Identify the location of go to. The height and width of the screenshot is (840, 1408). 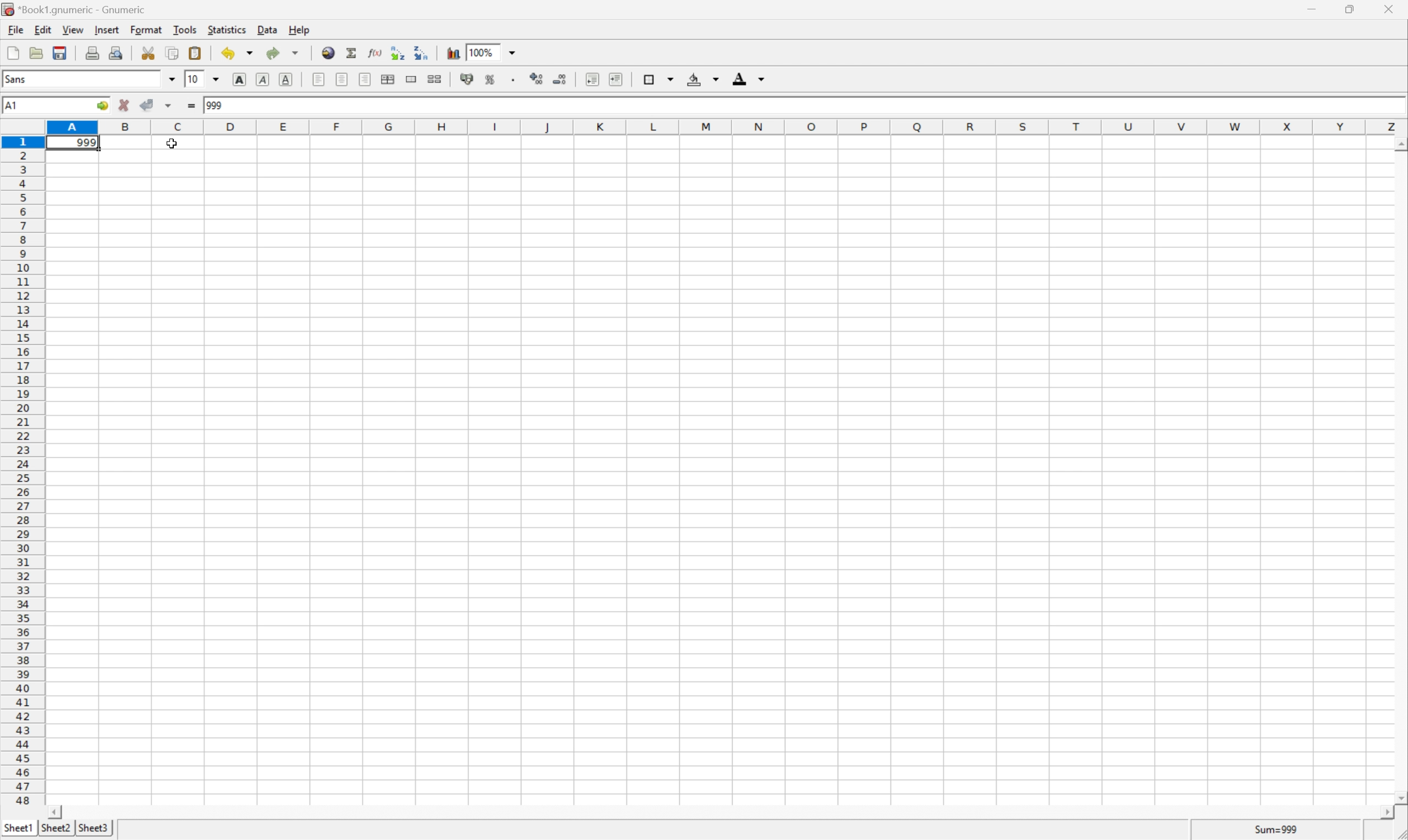
(105, 104).